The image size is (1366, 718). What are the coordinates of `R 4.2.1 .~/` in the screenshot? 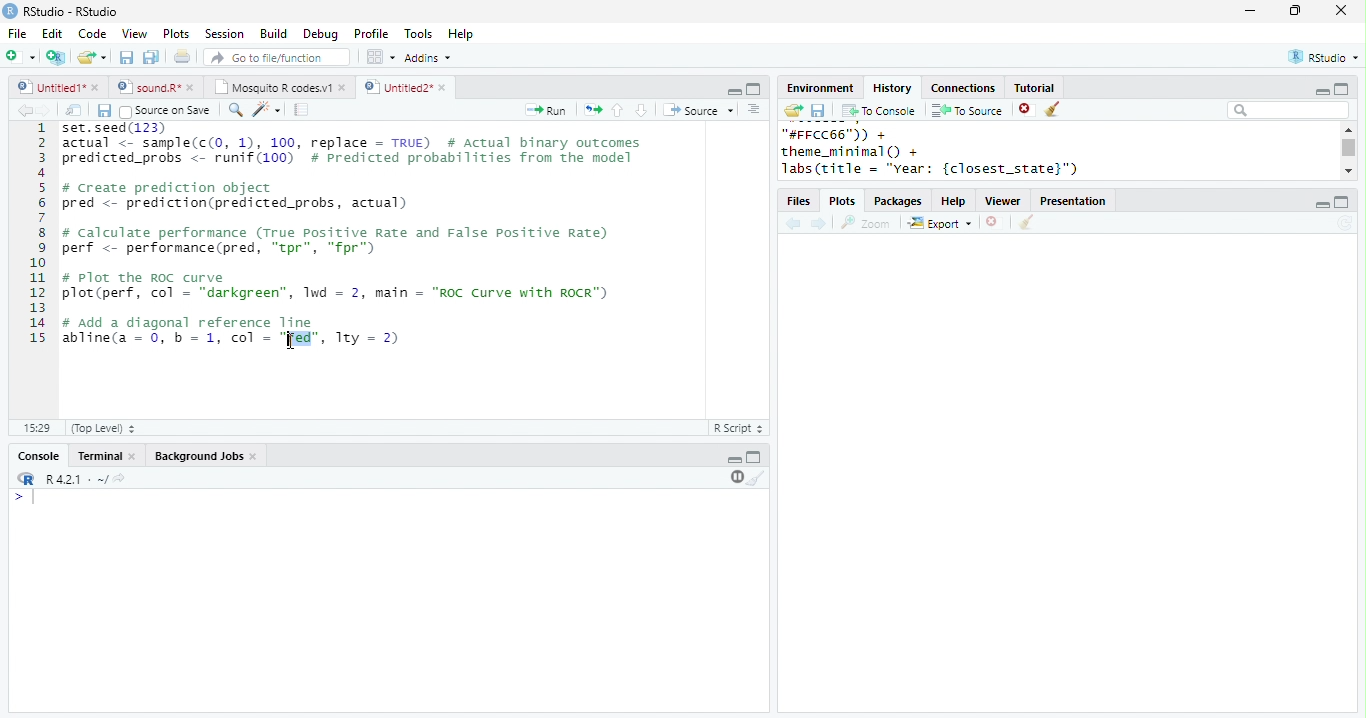 It's located at (73, 480).